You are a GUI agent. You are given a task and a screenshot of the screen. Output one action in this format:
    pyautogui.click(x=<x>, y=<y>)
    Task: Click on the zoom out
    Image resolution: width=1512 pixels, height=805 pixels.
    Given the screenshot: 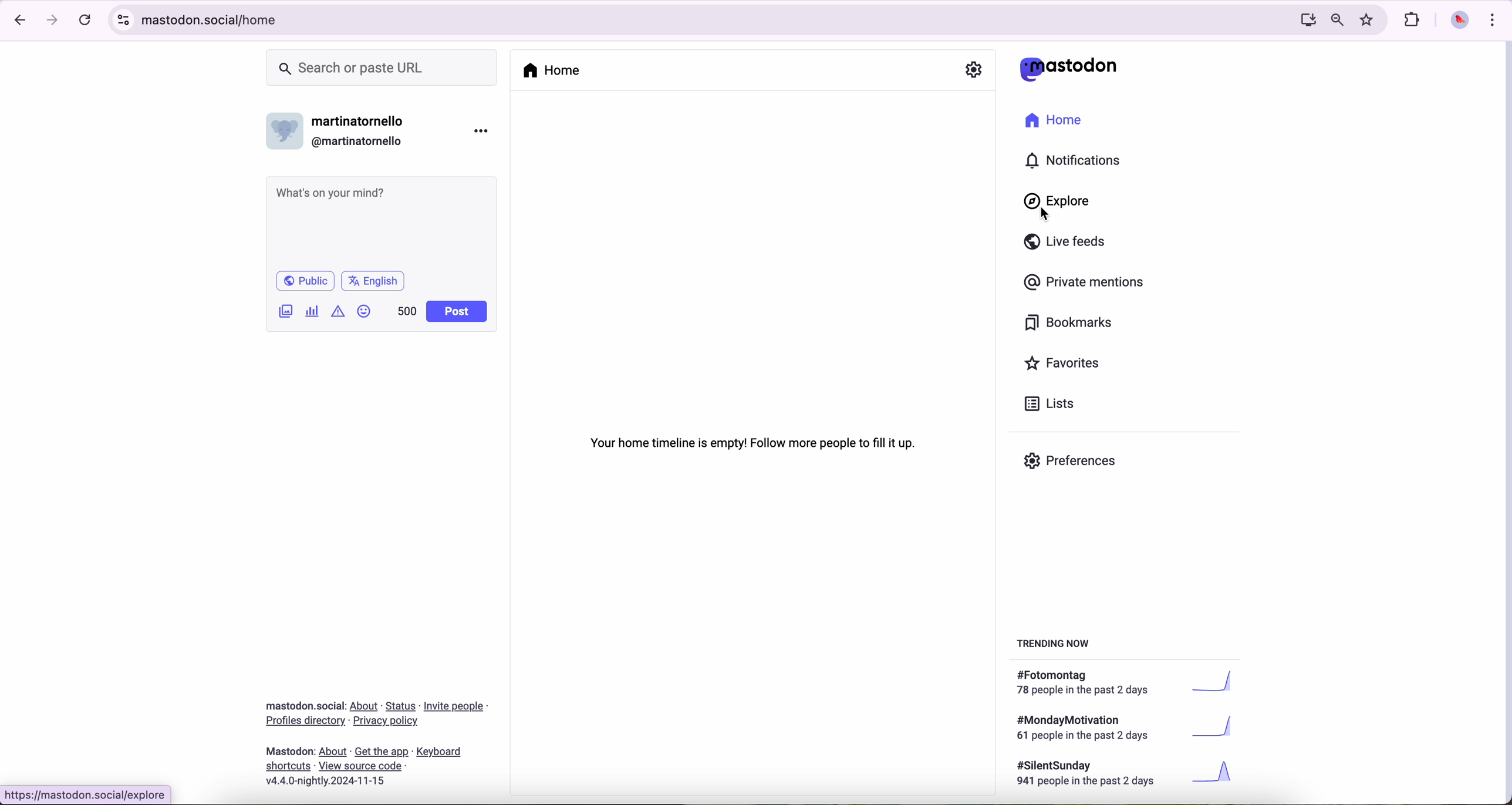 What is the action you would take?
    pyautogui.click(x=1336, y=19)
    